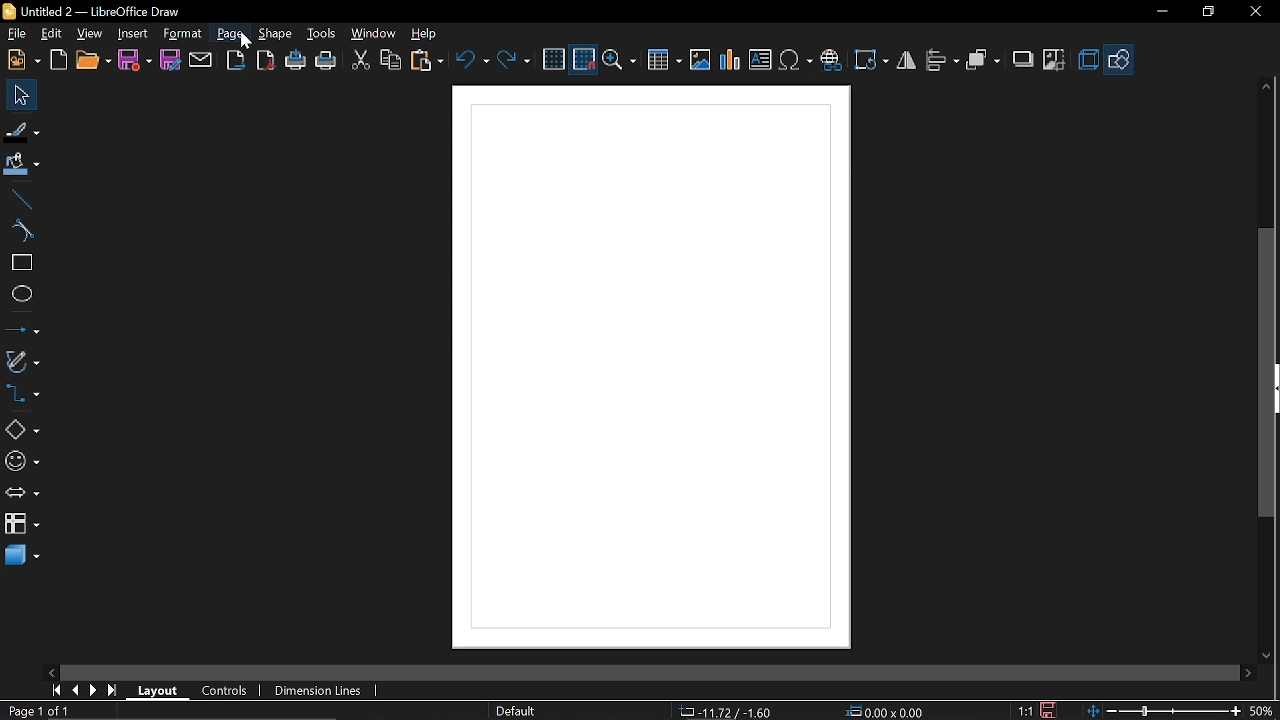 The width and height of the screenshot is (1280, 720). What do you see at coordinates (22, 130) in the screenshot?
I see `Fill line` at bounding box center [22, 130].